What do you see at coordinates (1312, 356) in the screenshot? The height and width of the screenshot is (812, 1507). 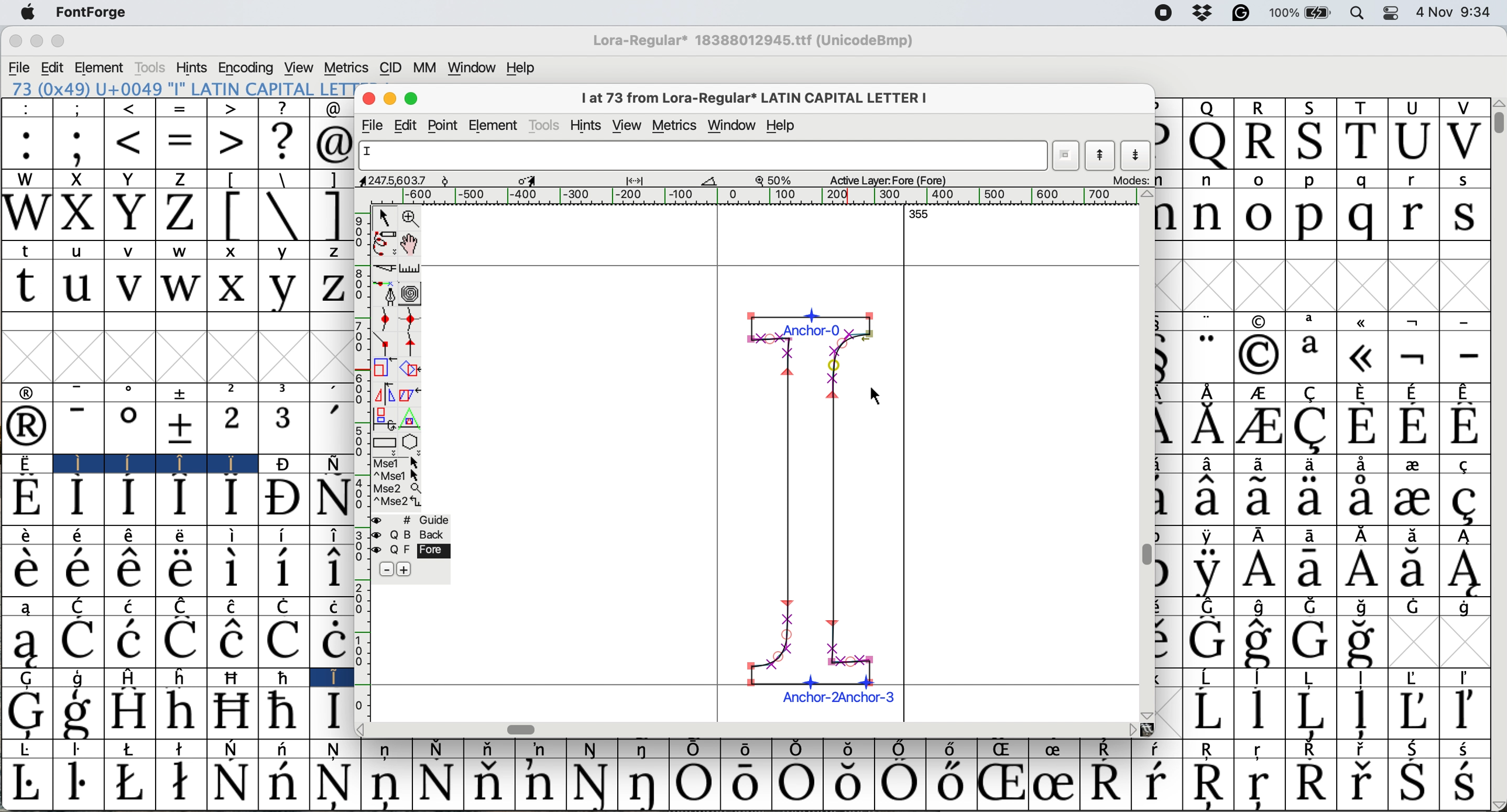 I see `a` at bounding box center [1312, 356].